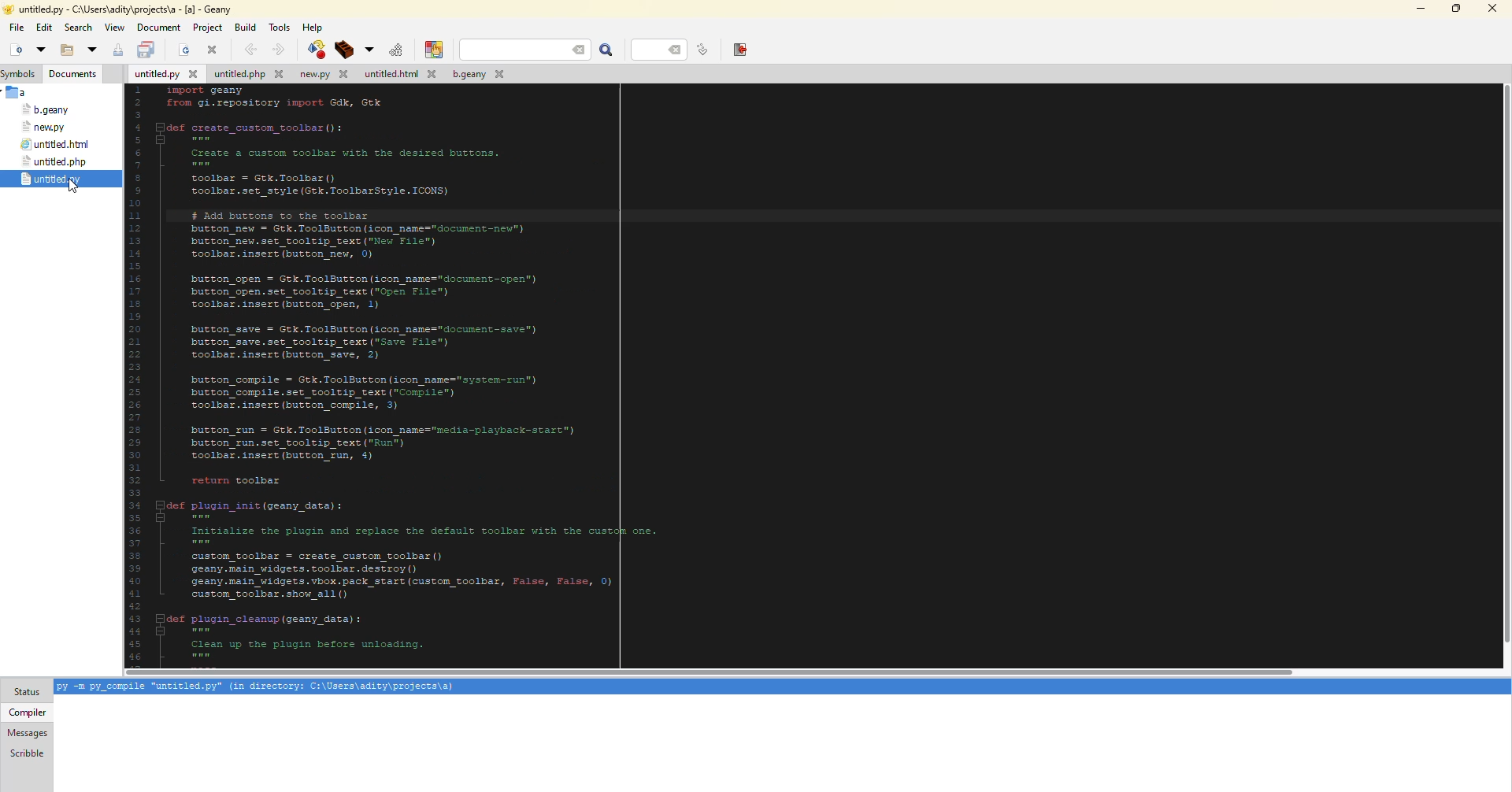 Image resolution: width=1512 pixels, height=792 pixels. What do you see at coordinates (528, 49) in the screenshot?
I see `search` at bounding box center [528, 49].